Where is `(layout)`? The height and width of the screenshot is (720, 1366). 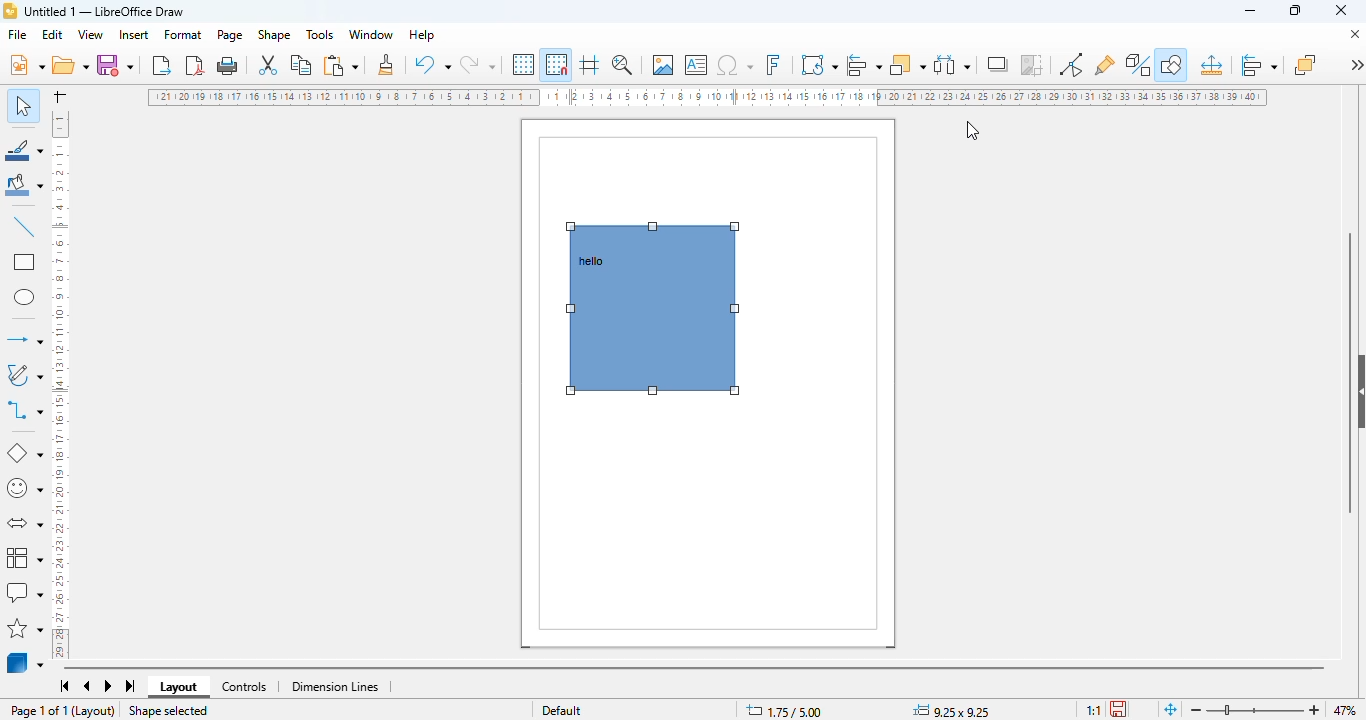 (layout) is located at coordinates (95, 711).